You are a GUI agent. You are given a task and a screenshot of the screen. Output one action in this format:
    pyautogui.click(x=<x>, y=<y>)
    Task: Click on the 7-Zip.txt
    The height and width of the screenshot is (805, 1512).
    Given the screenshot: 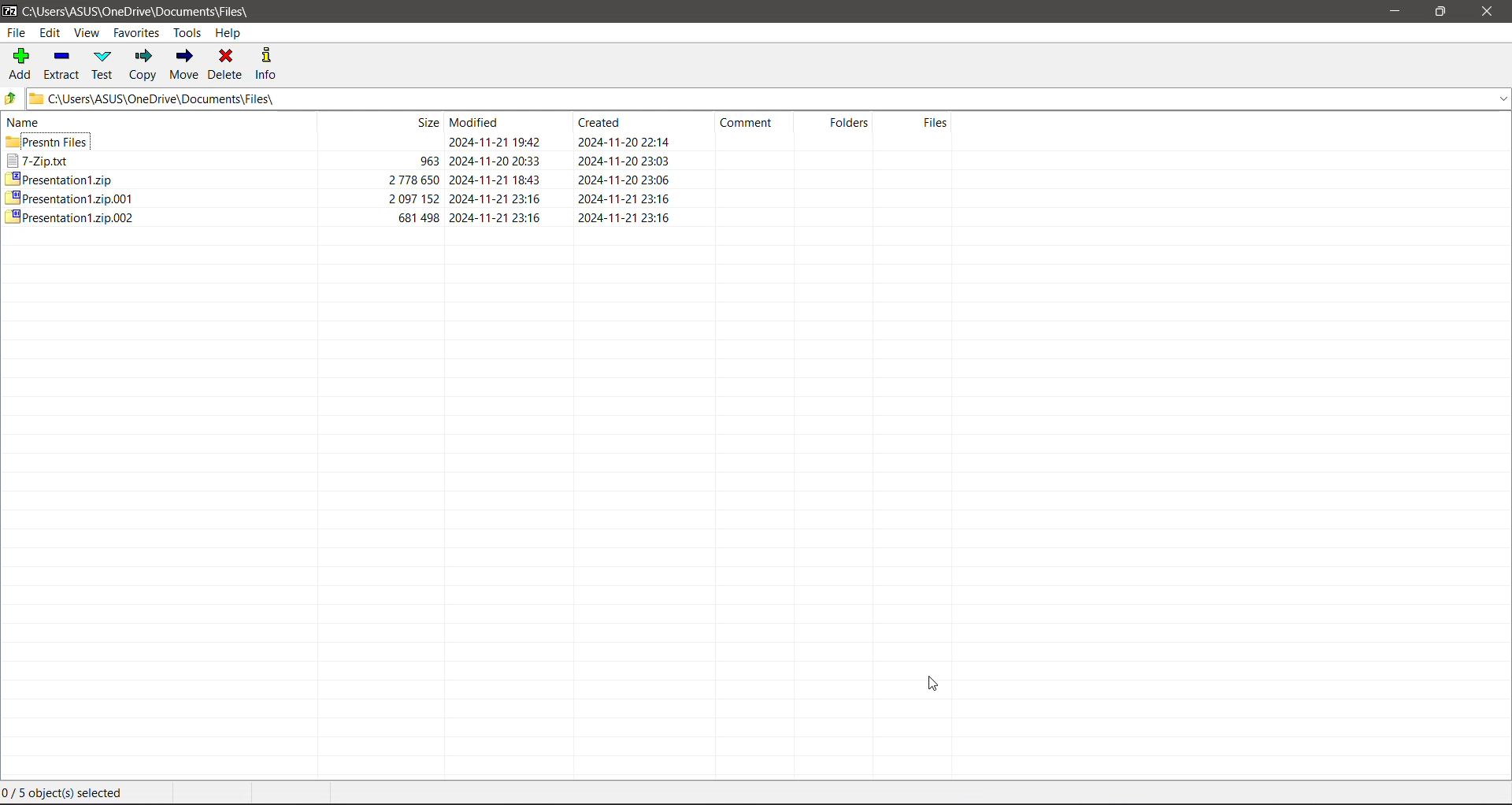 What is the action you would take?
    pyautogui.click(x=42, y=158)
    